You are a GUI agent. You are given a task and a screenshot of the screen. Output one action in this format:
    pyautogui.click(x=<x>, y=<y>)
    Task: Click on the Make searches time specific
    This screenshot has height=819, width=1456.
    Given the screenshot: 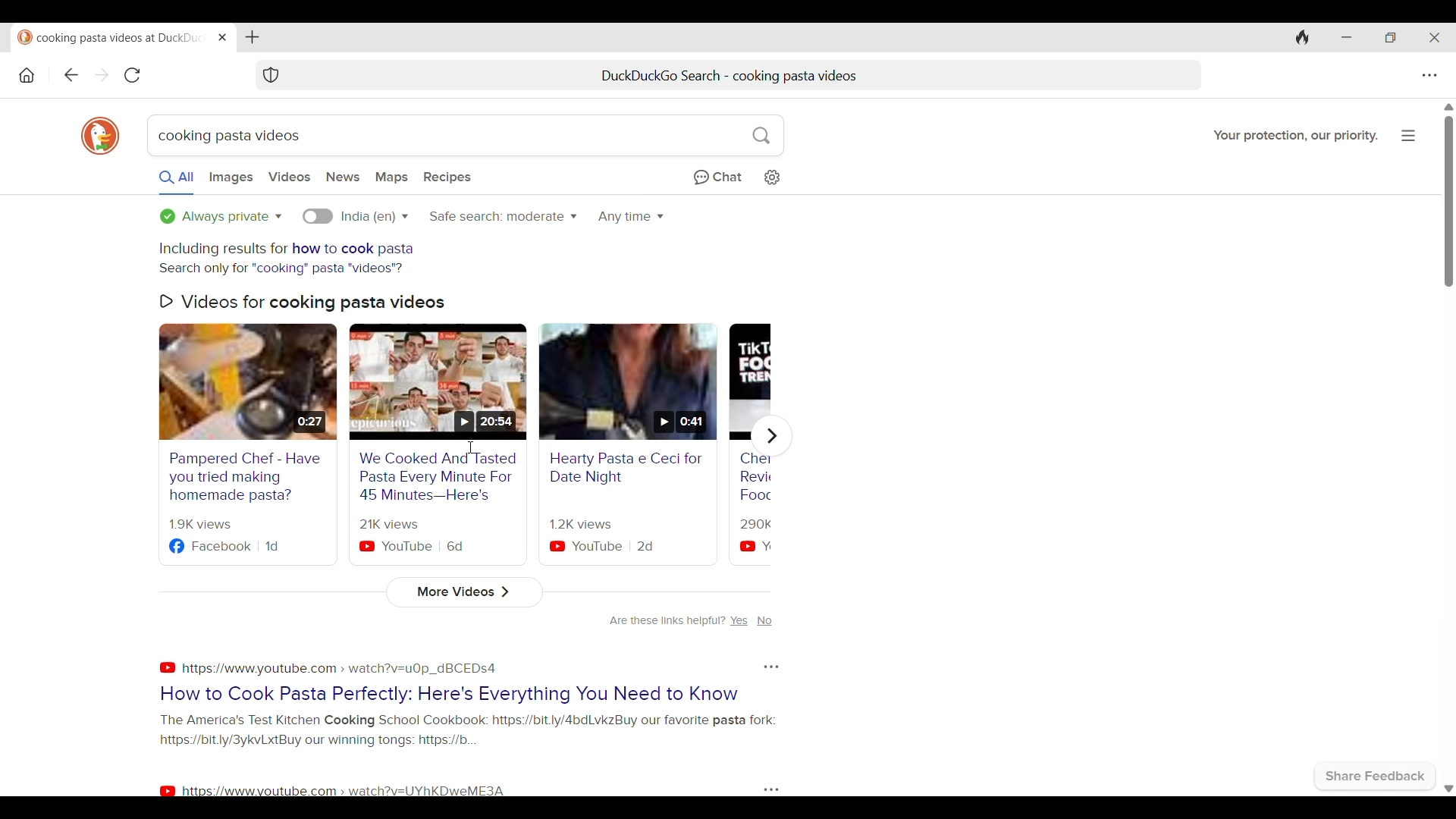 What is the action you would take?
    pyautogui.click(x=632, y=217)
    